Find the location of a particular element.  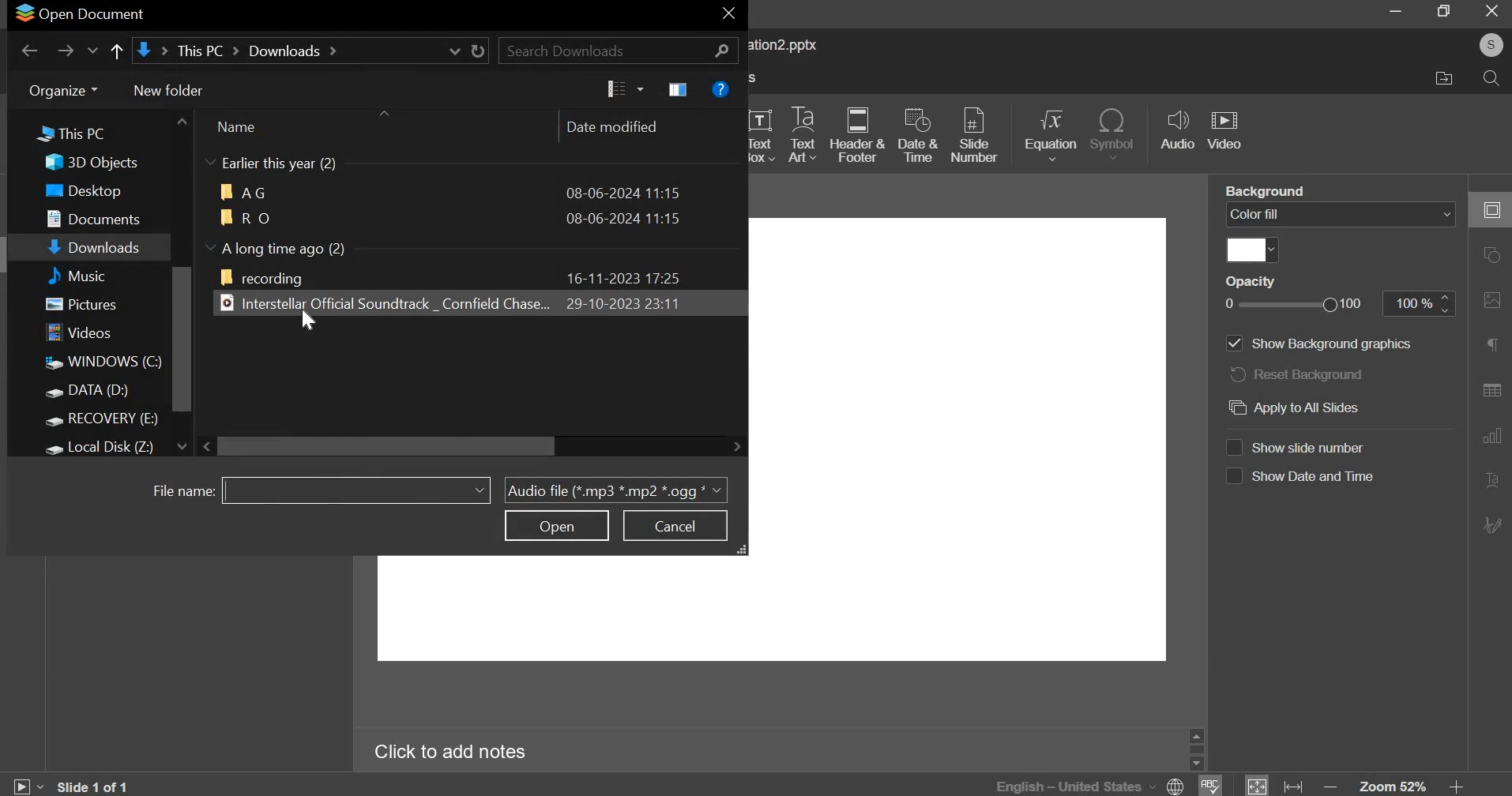

organize is located at coordinates (64, 90).